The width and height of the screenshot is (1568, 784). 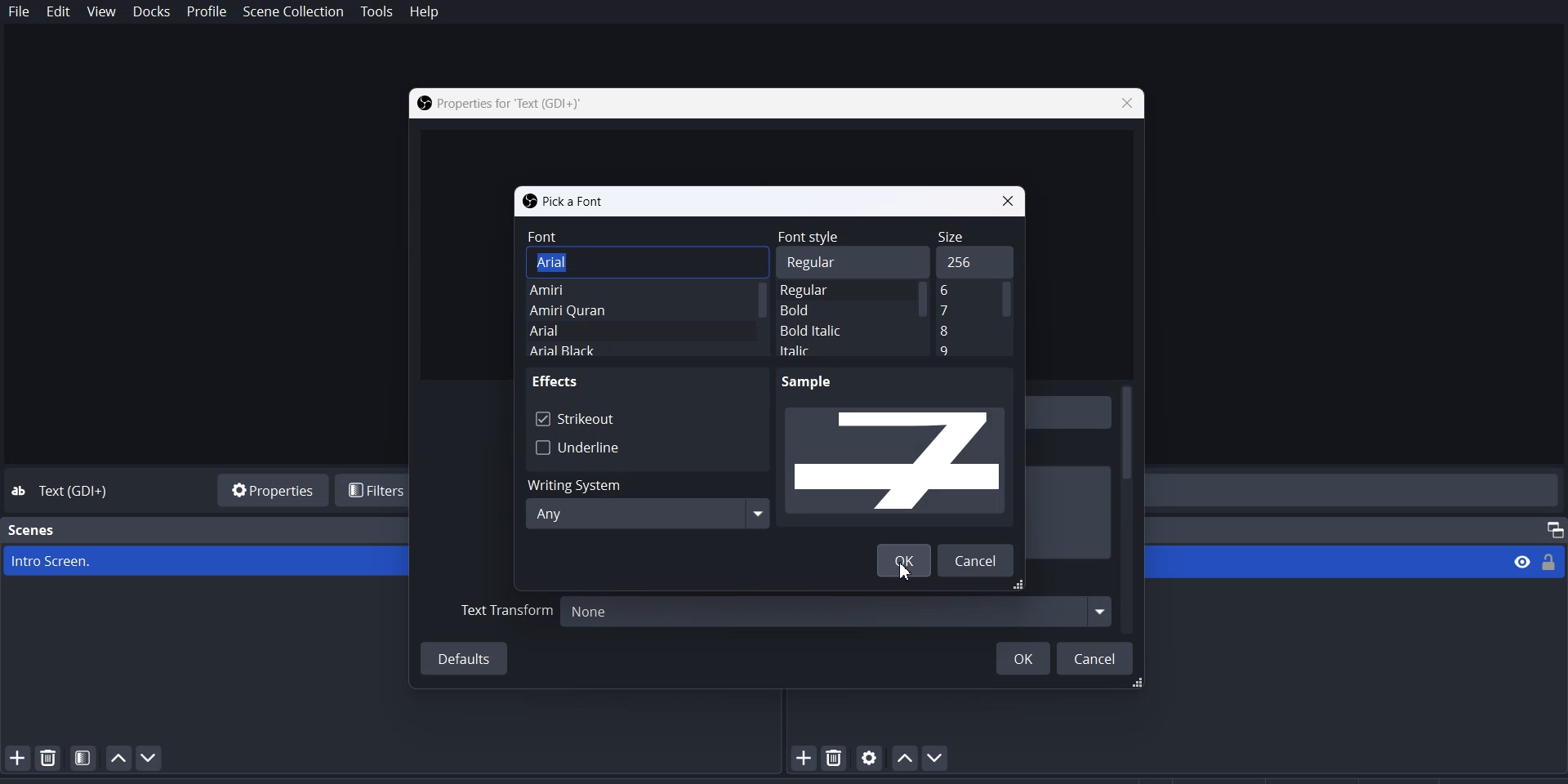 What do you see at coordinates (903, 560) in the screenshot?
I see `OK` at bounding box center [903, 560].